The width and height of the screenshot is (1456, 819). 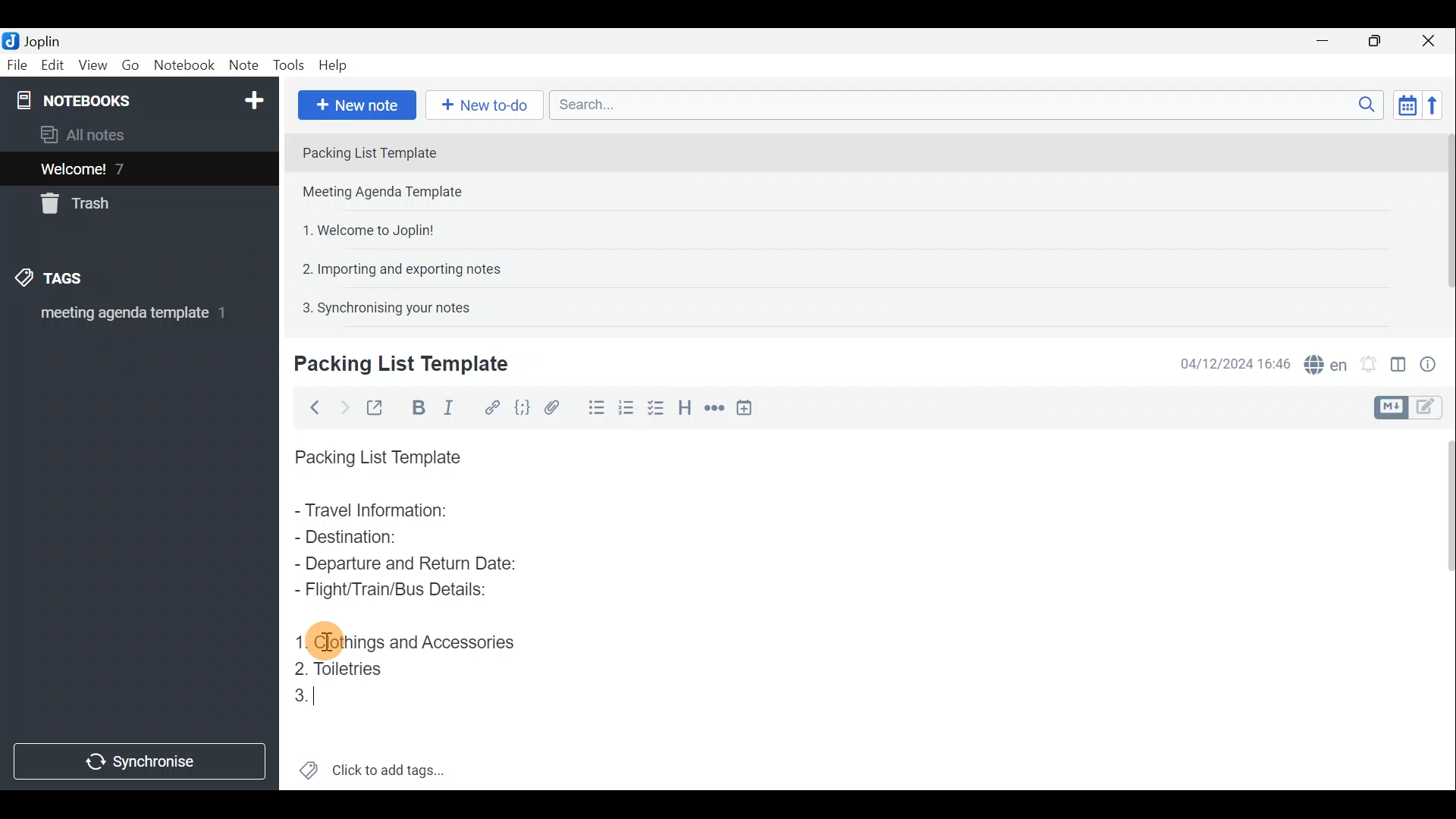 I want to click on Maximise, so click(x=1380, y=41).